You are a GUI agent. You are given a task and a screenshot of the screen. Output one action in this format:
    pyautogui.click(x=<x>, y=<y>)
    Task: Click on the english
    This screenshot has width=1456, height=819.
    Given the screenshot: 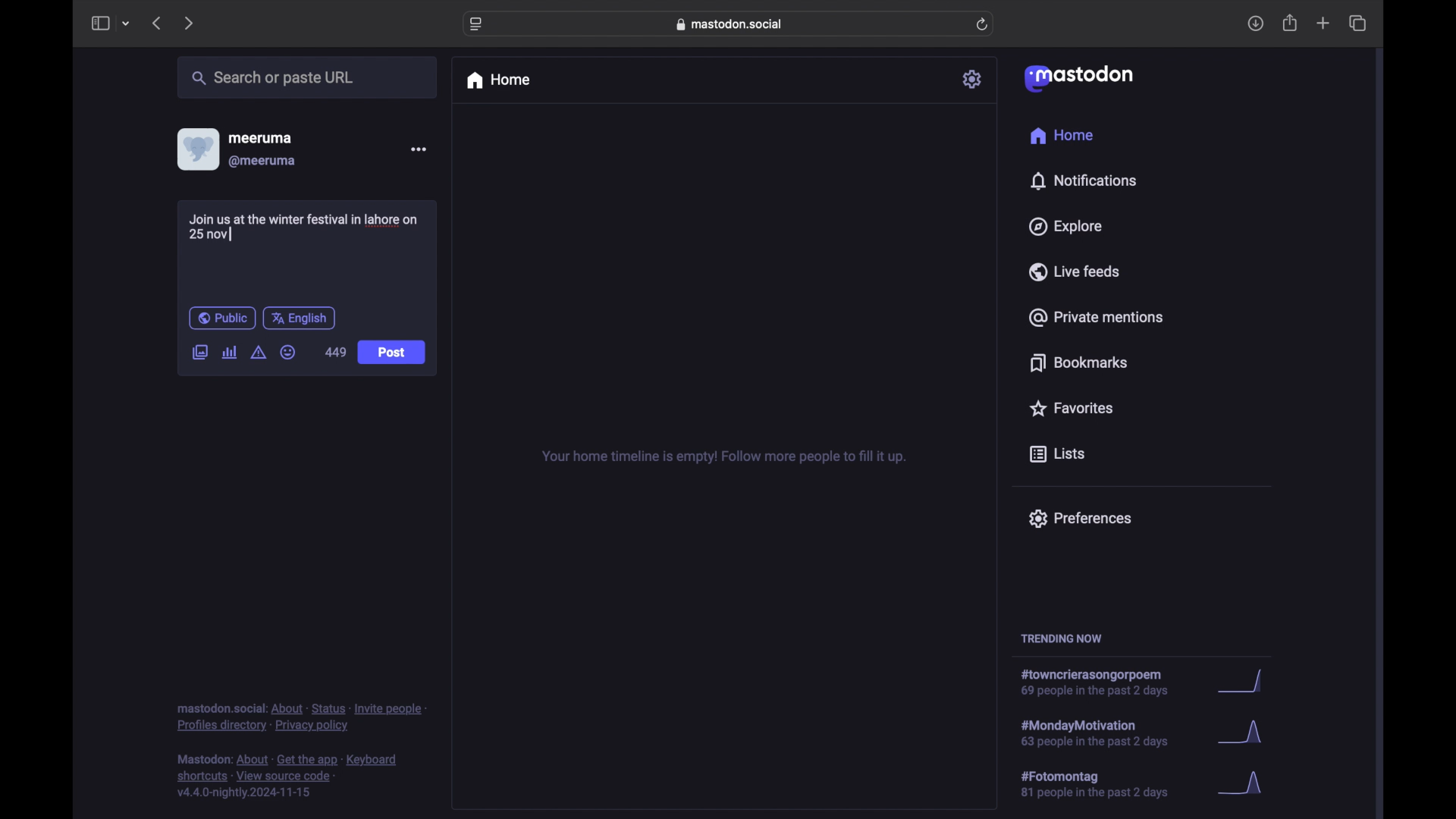 What is the action you would take?
    pyautogui.click(x=300, y=318)
    